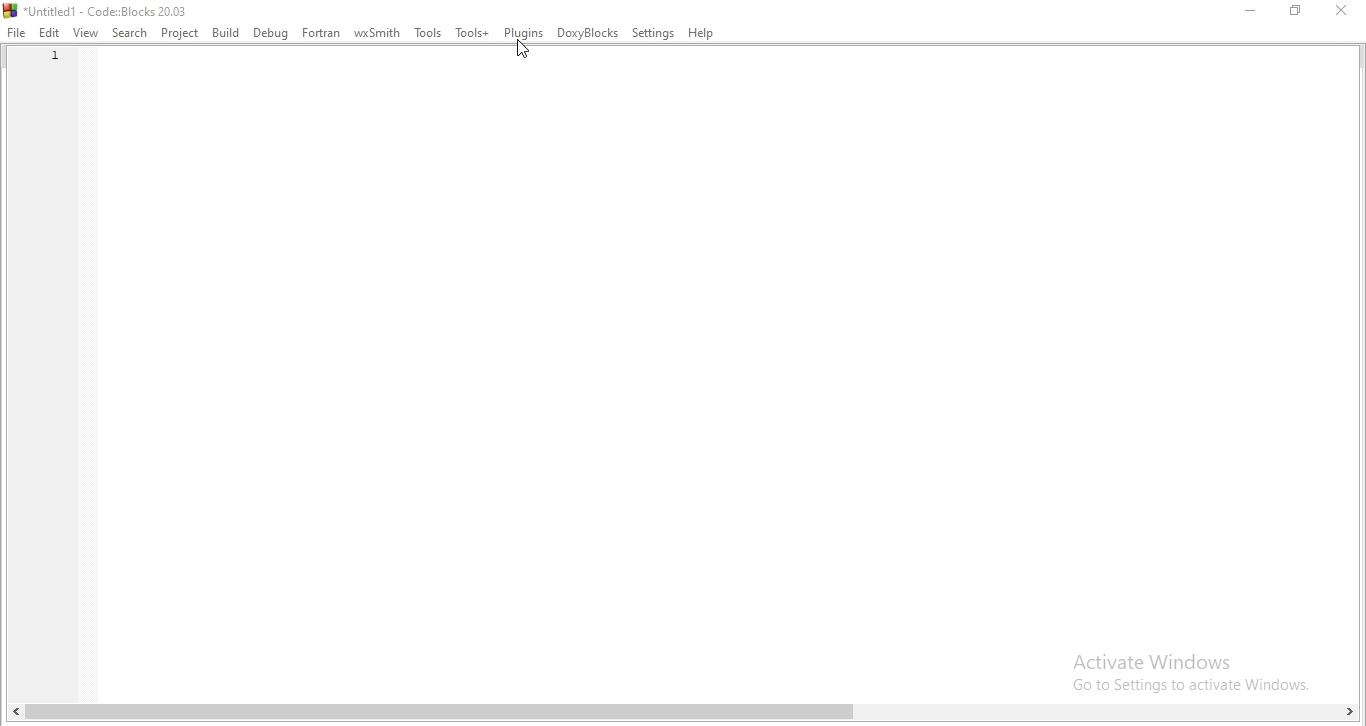  Describe the element at coordinates (179, 34) in the screenshot. I see `Project` at that location.